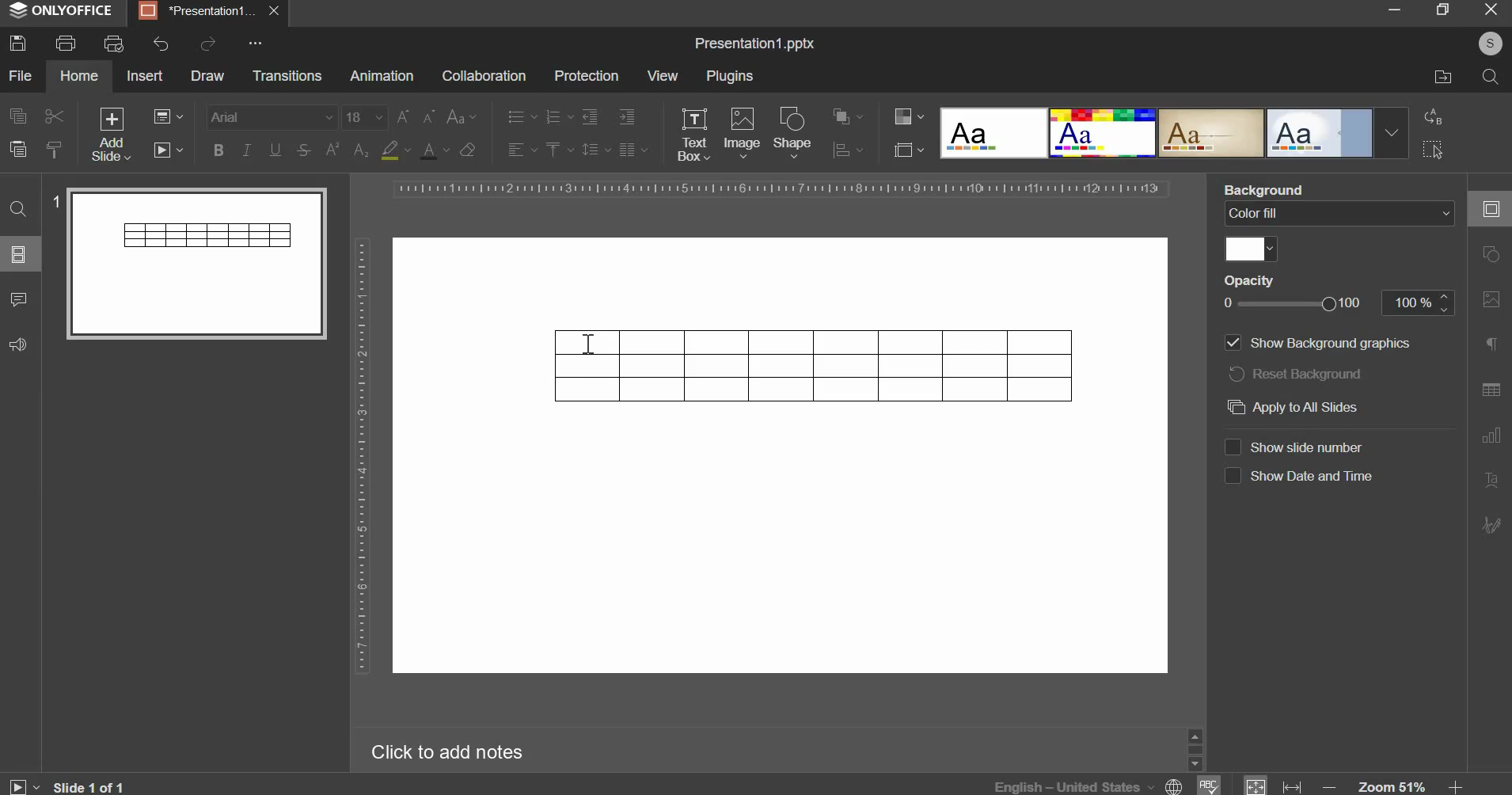 The height and width of the screenshot is (795, 1512). I want to click on language & spelling, so click(1107, 784).